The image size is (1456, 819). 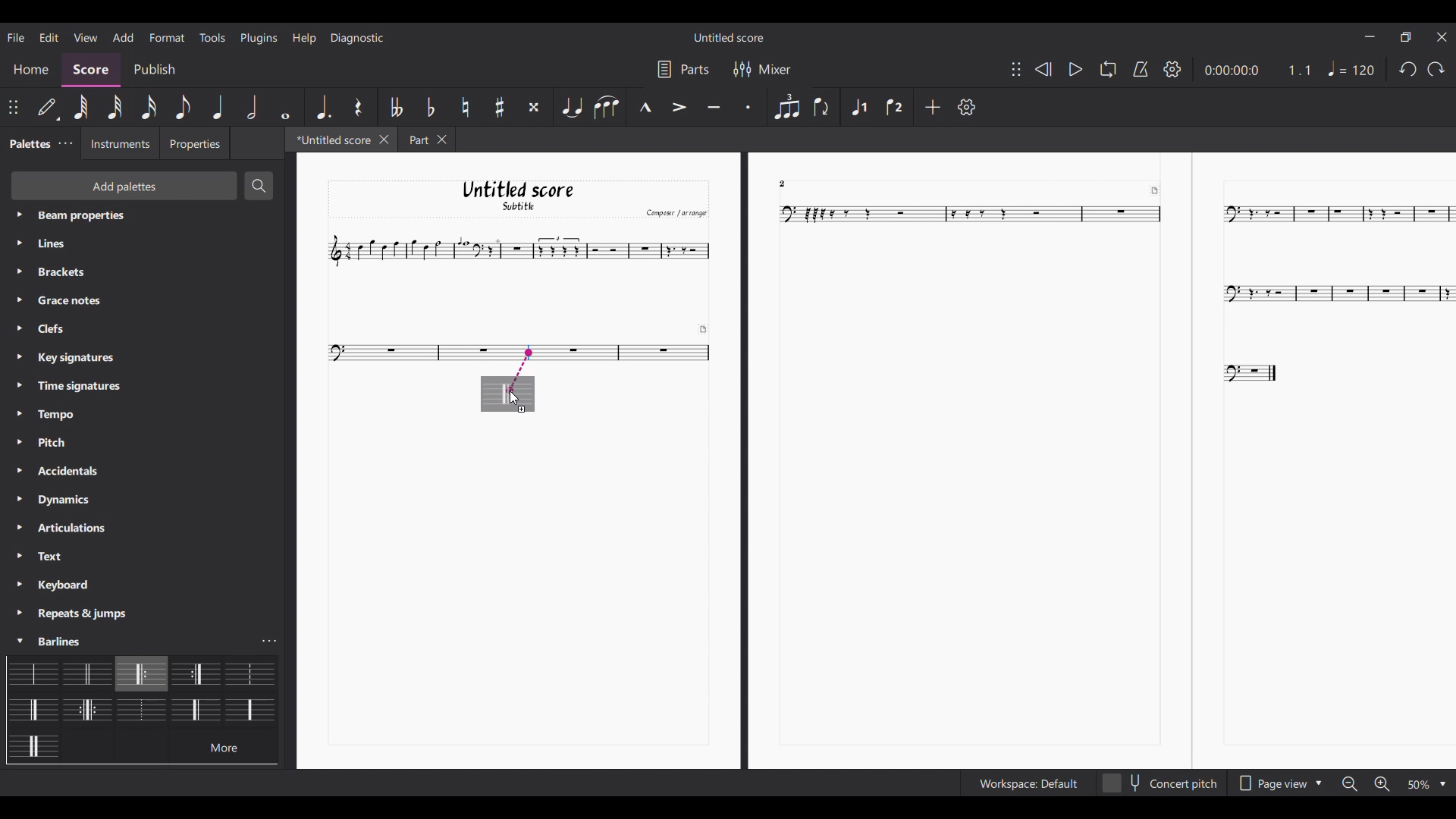 What do you see at coordinates (1351, 68) in the screenshot?
I see `Tempo` at bounding box center [1351, 68].